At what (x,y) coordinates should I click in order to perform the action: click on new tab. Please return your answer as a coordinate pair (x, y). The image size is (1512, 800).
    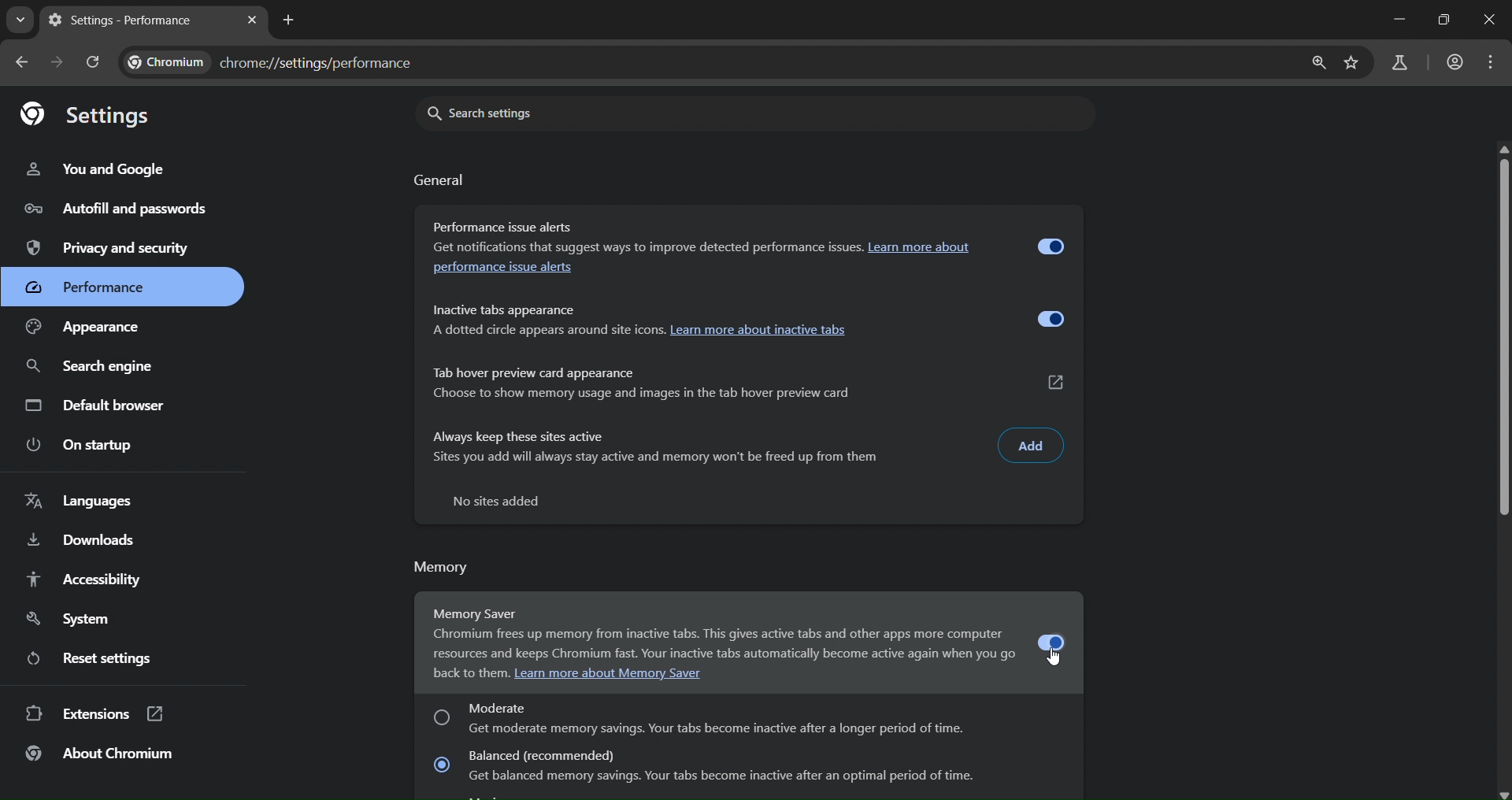
    Looking at the image, I should click on (287, 20).